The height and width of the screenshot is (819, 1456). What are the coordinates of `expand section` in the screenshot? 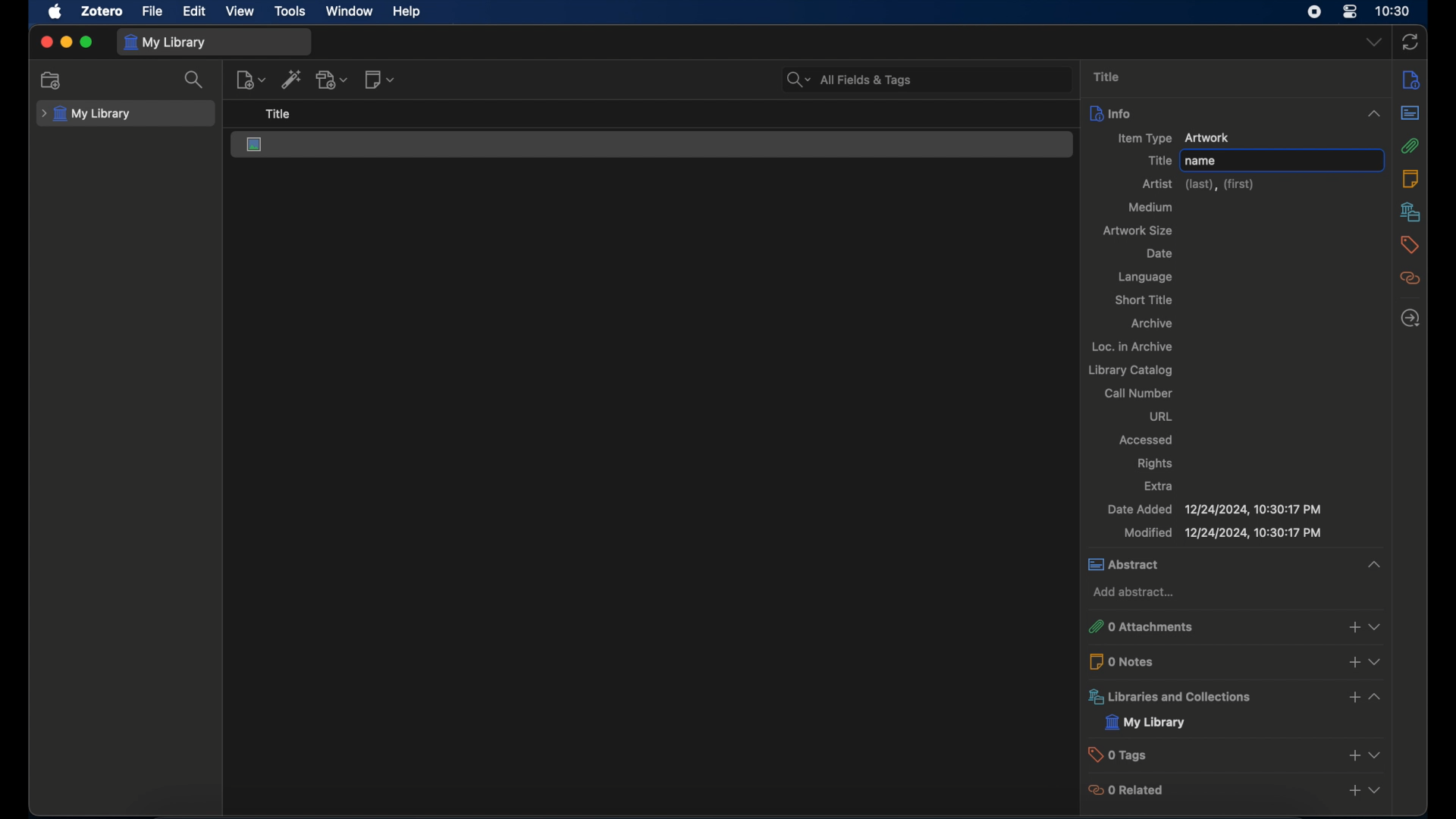 It's located at (1383, 755).